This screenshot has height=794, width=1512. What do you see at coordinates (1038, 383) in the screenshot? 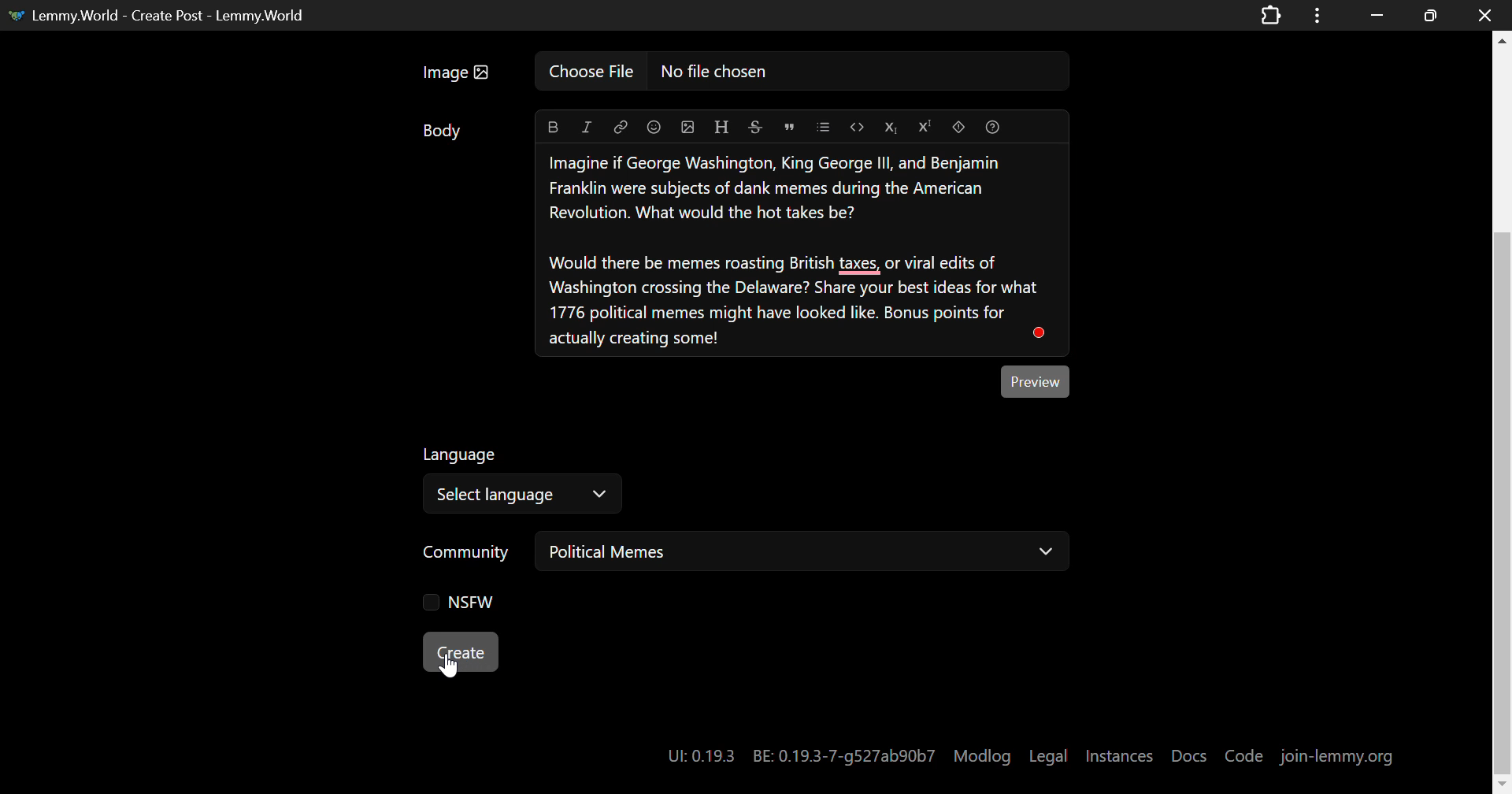
I see `Post Preview Button` at bounding box center [1038, 383].